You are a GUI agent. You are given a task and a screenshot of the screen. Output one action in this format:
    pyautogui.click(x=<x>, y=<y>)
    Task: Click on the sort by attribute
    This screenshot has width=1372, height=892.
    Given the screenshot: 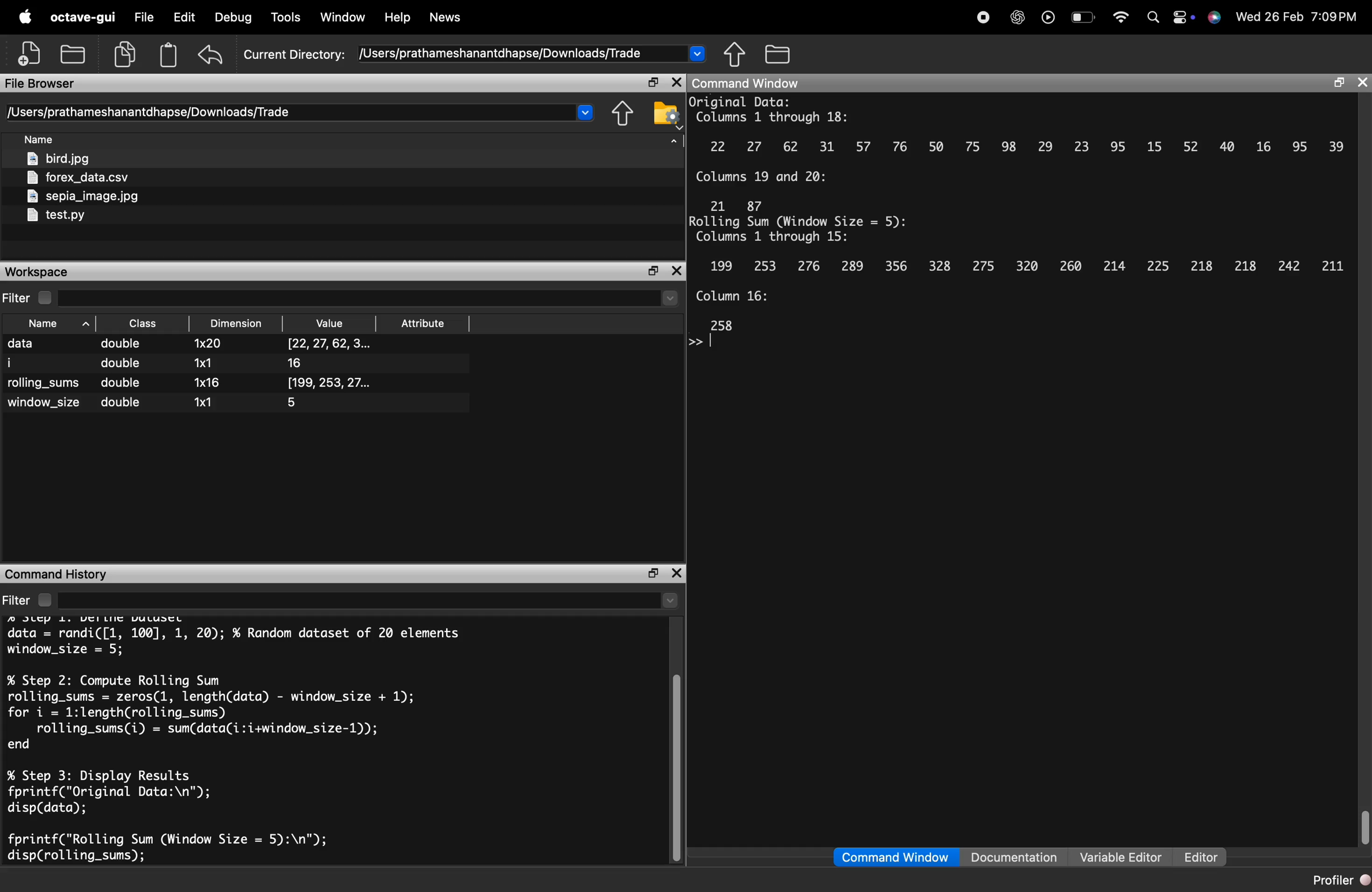 What is the action you would take?
    pyautogui.click(x=425, y=323)
    